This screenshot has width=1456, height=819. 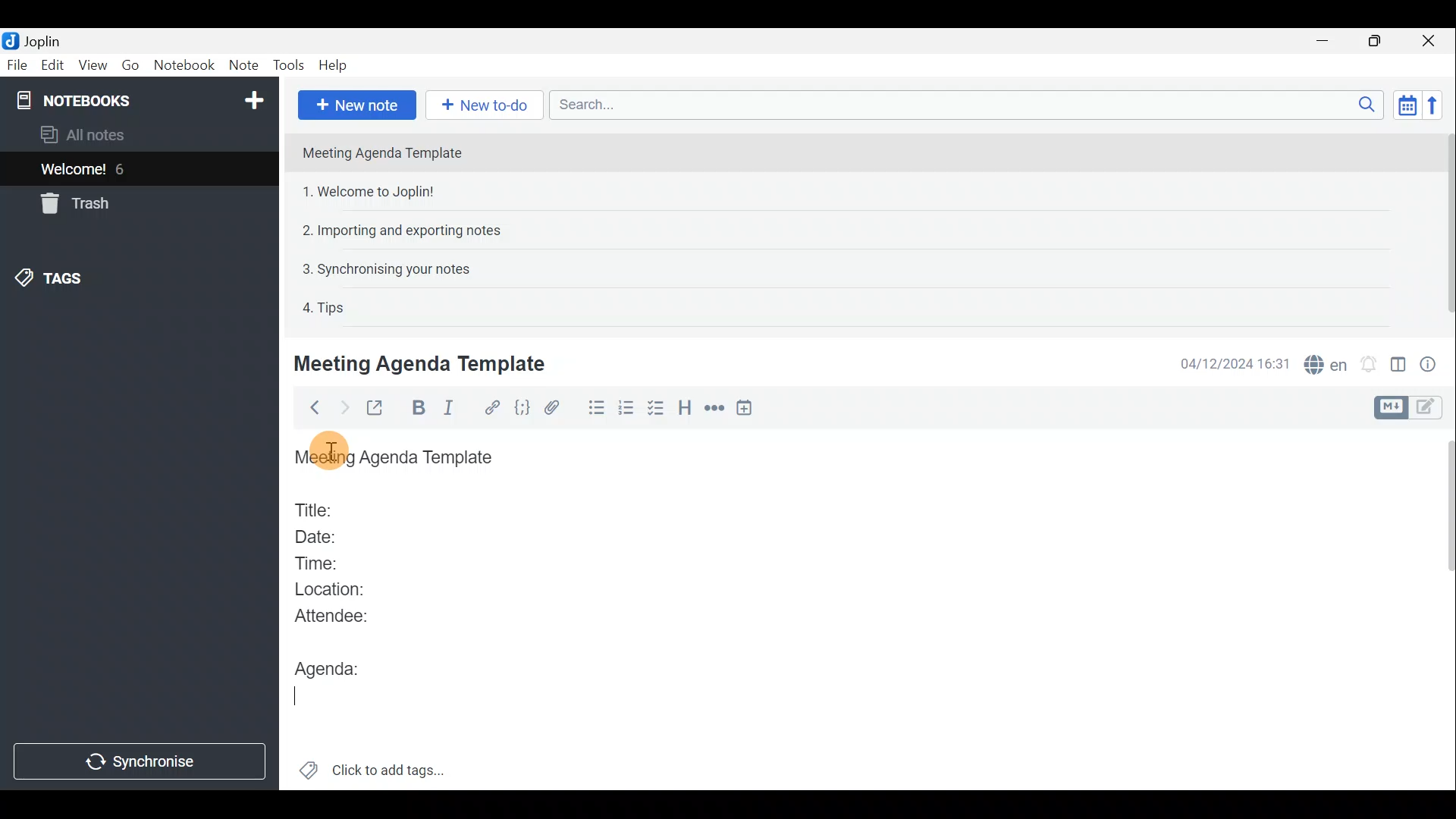 I want to click on Heading, so click(x=684, y=411).